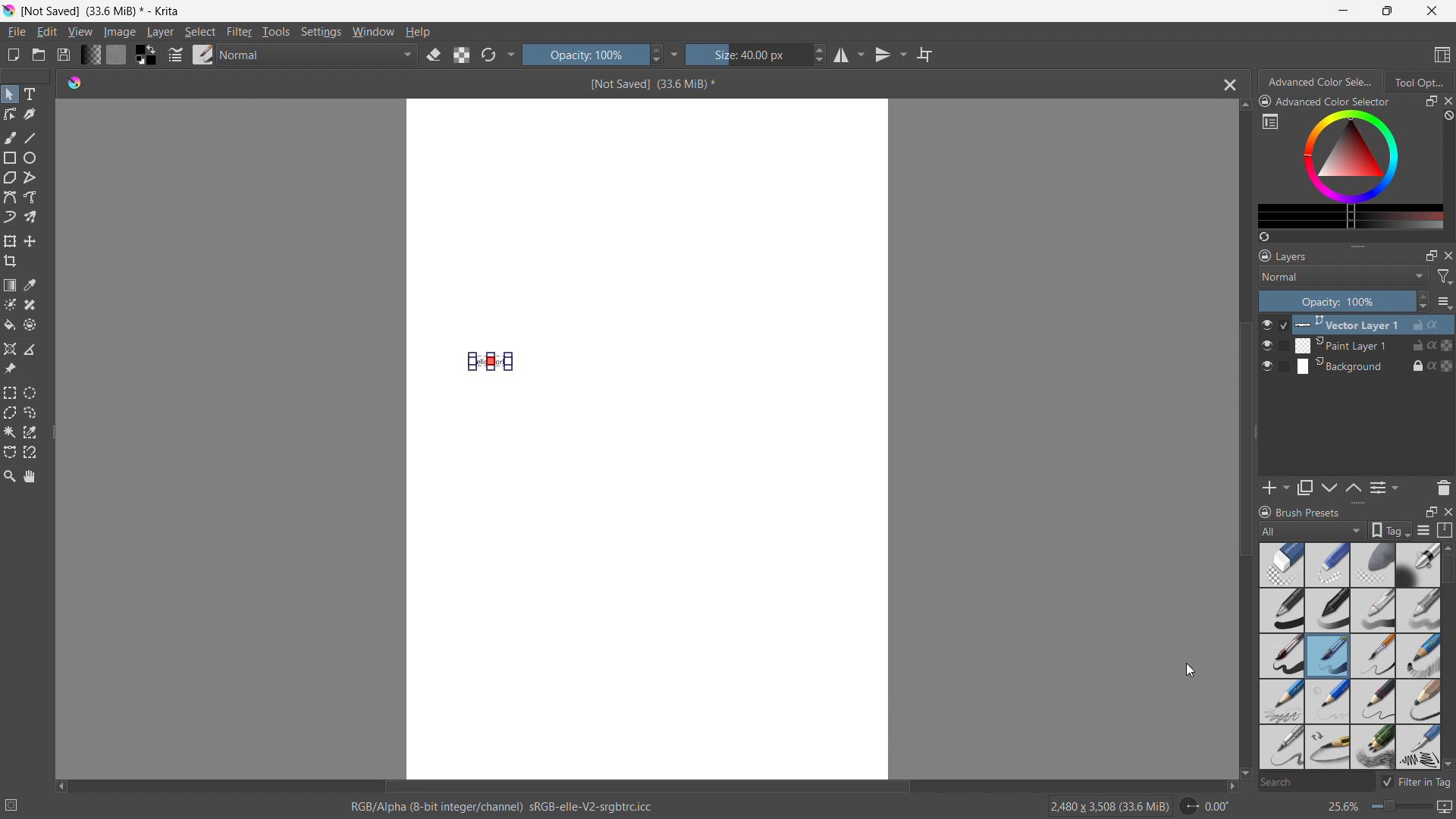 Image resolution: width=1456 pixels, height=819 pixels. What do you see at coordinates (30, 325) in the screenshot?
I see `enclose and fill tool` at bounding box center [30, 325].